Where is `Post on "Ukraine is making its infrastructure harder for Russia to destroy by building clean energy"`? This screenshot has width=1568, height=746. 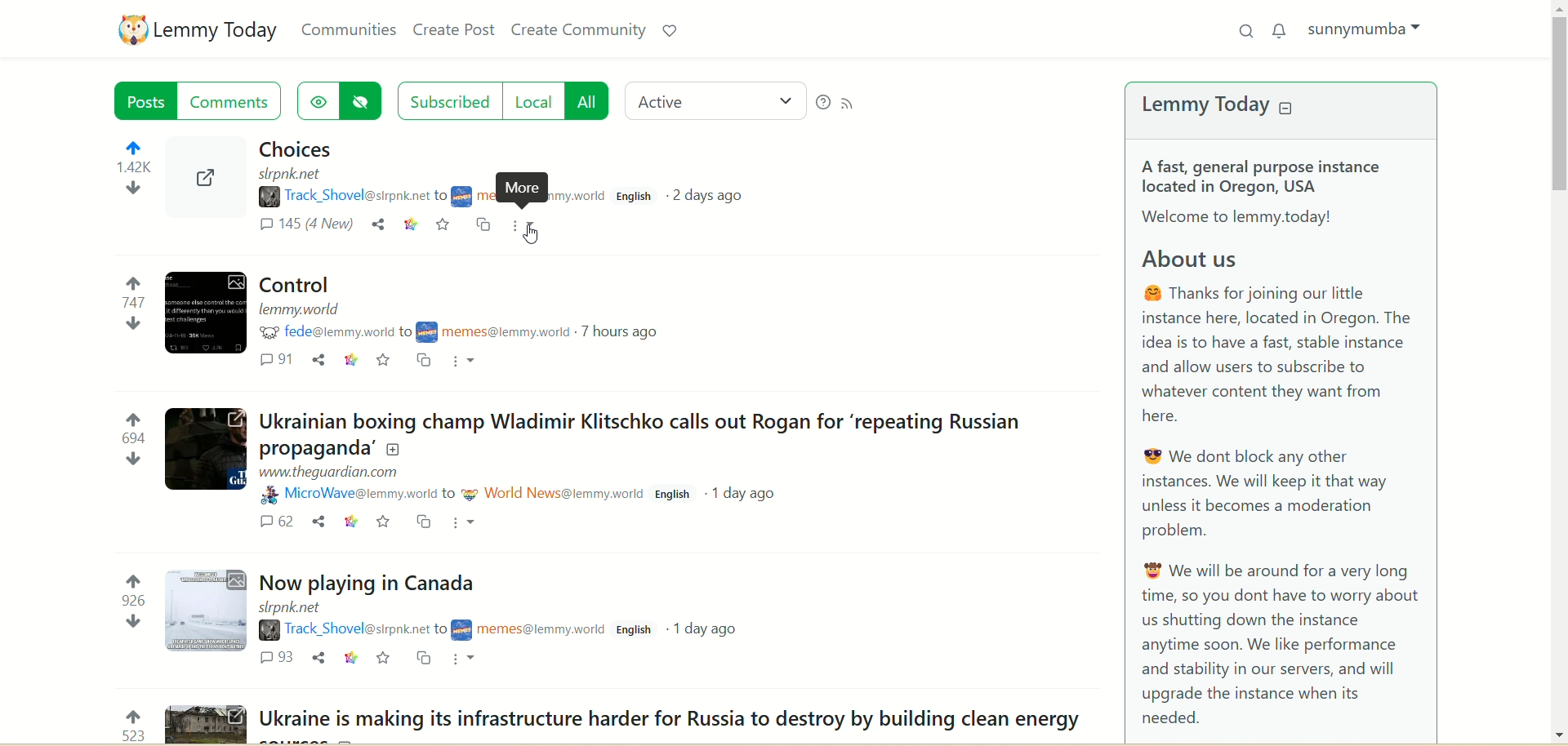
Post on "Ukraine is making its infrastructure harder for Russia to destroy by building clean energy" is located at coordinates (670, 720).